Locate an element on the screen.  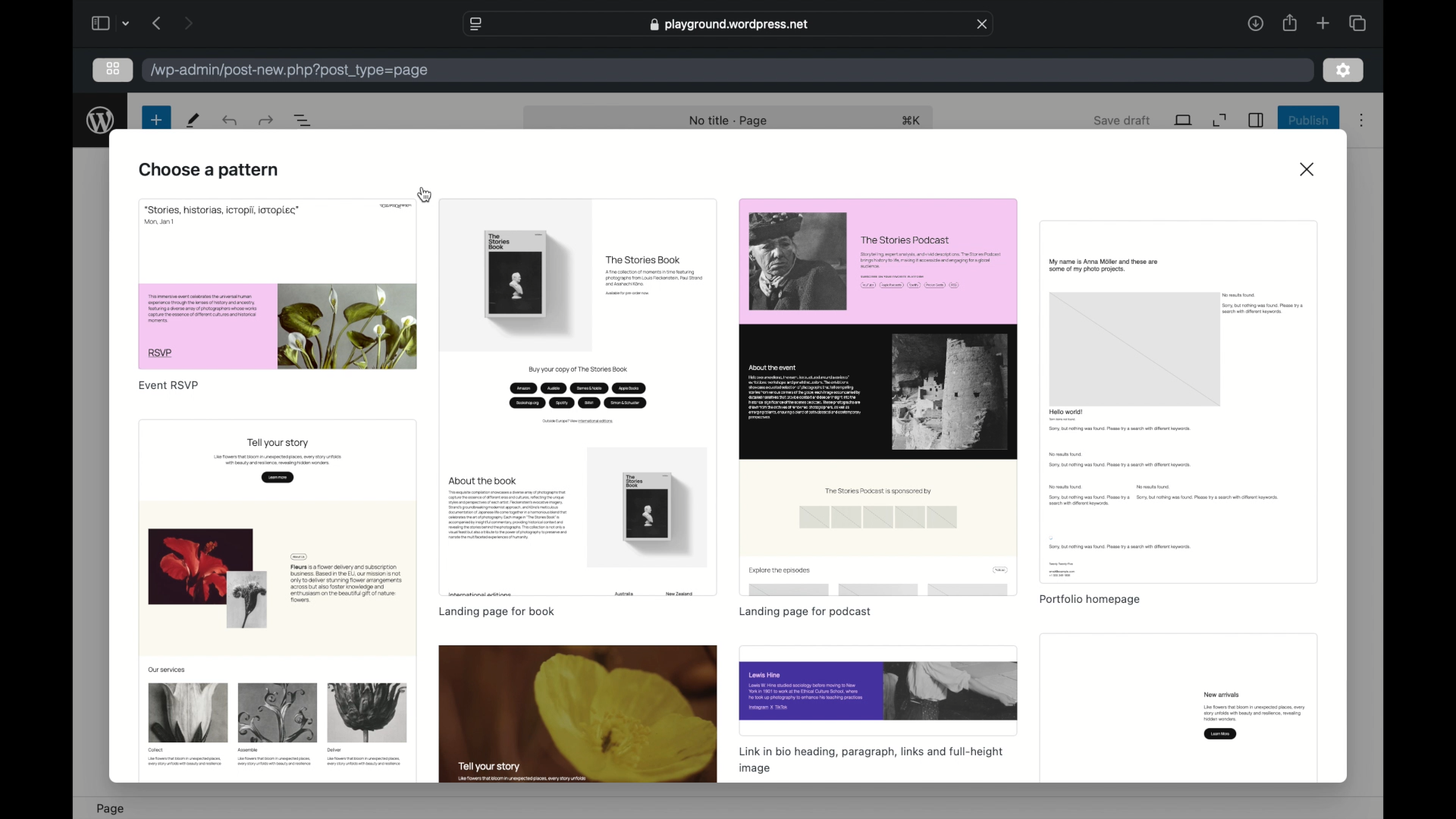
template name is located at coordinates (871, 760).